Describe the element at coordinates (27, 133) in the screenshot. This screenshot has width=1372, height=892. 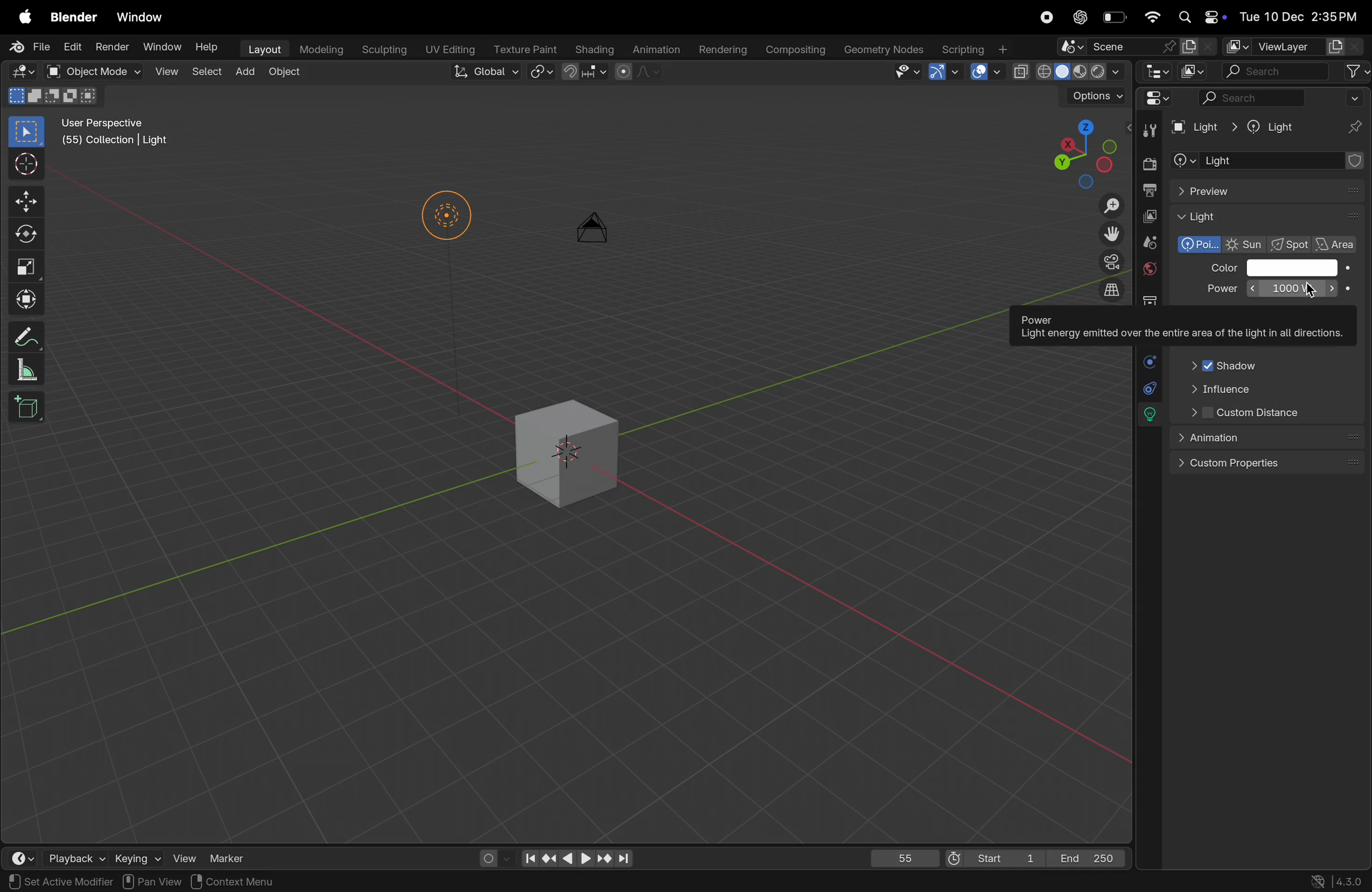
I see `select` at that location.